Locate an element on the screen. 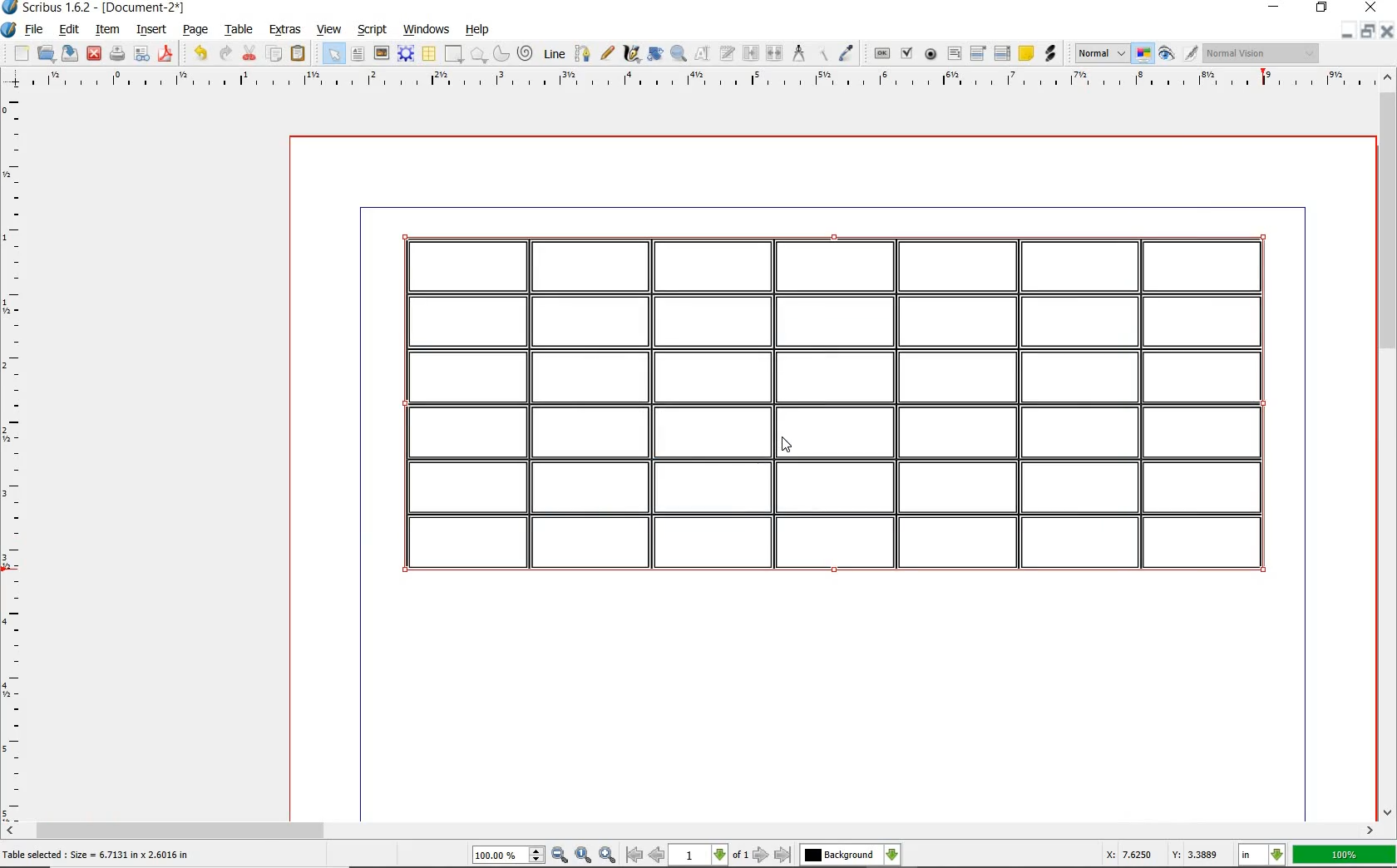 This screenshot has height=868, width=1397. item is located at coordinates (111, 31).